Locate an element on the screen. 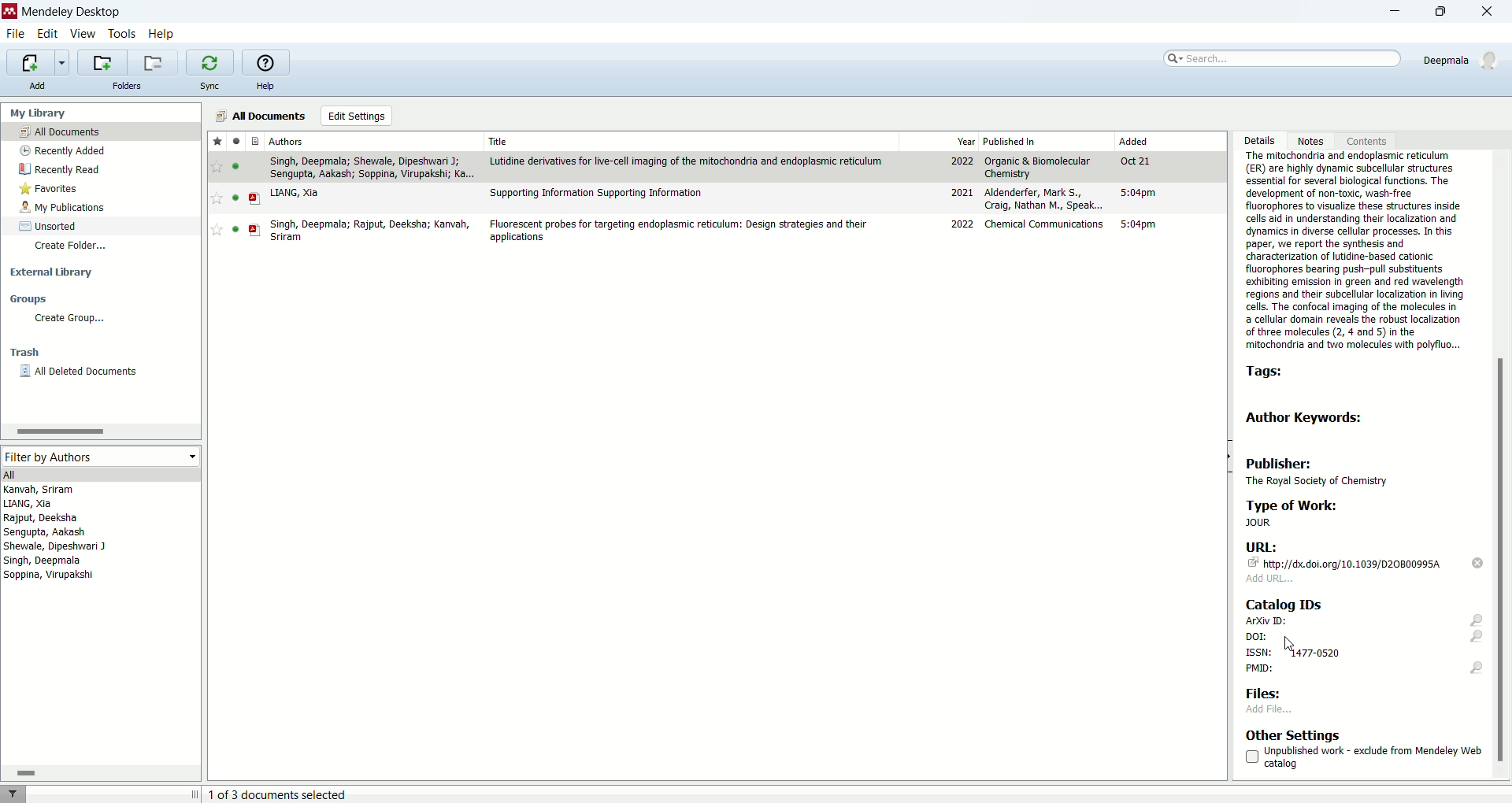 This screenshot has width=1512, height=803. cursor is located at coordinates (1289, 643).